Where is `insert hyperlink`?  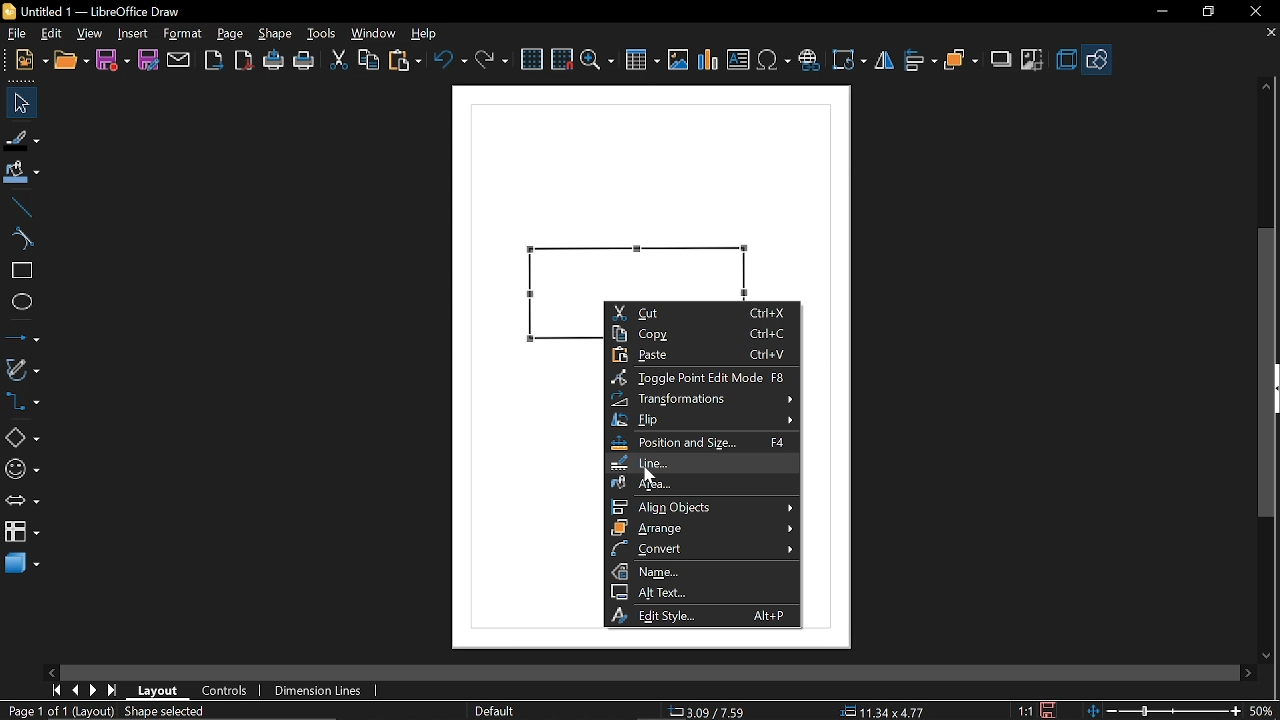
insert hyperlink is located at coordinates (809, 60).